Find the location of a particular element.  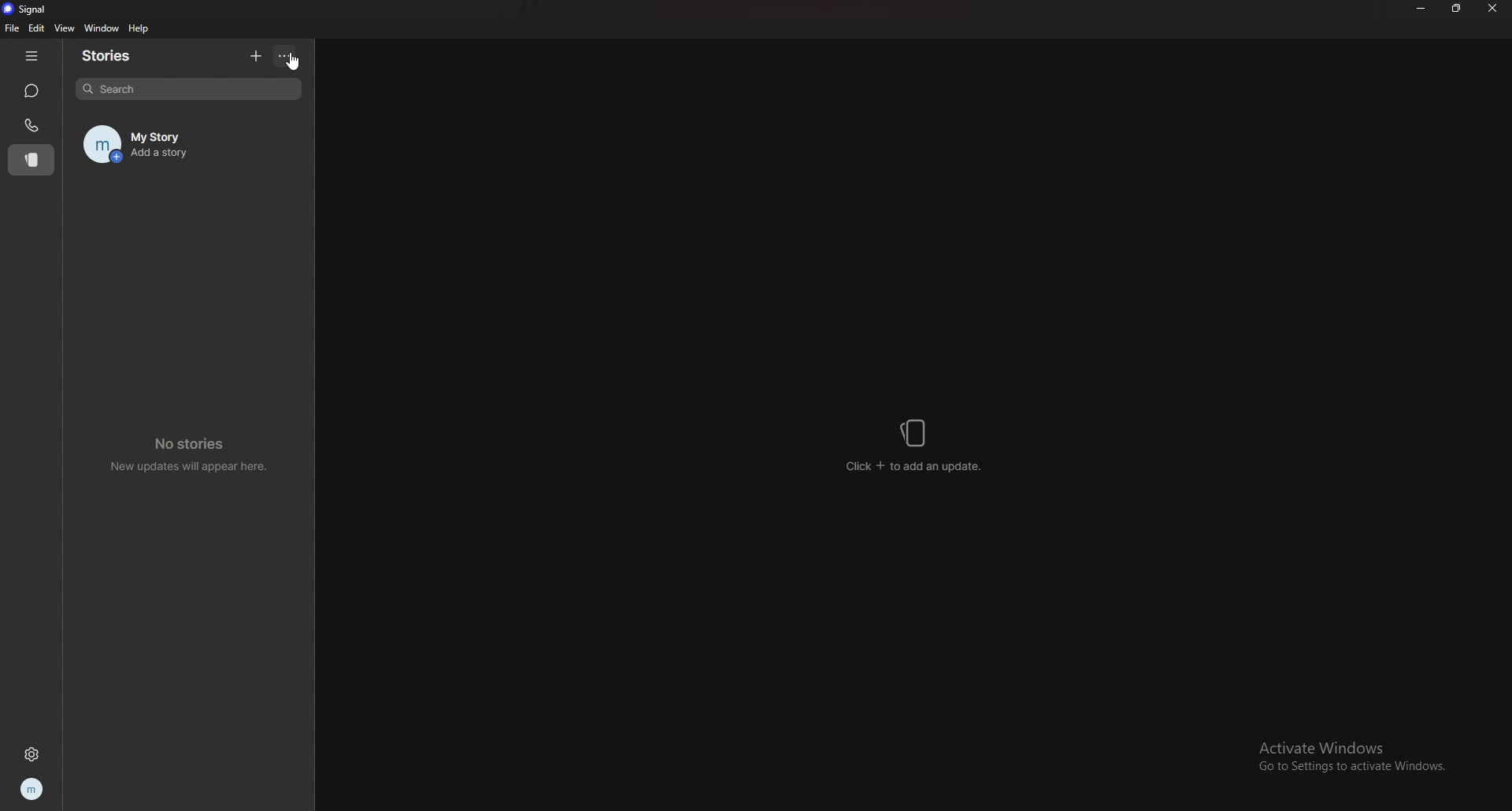

cursor is located at coordinates (296, 65).